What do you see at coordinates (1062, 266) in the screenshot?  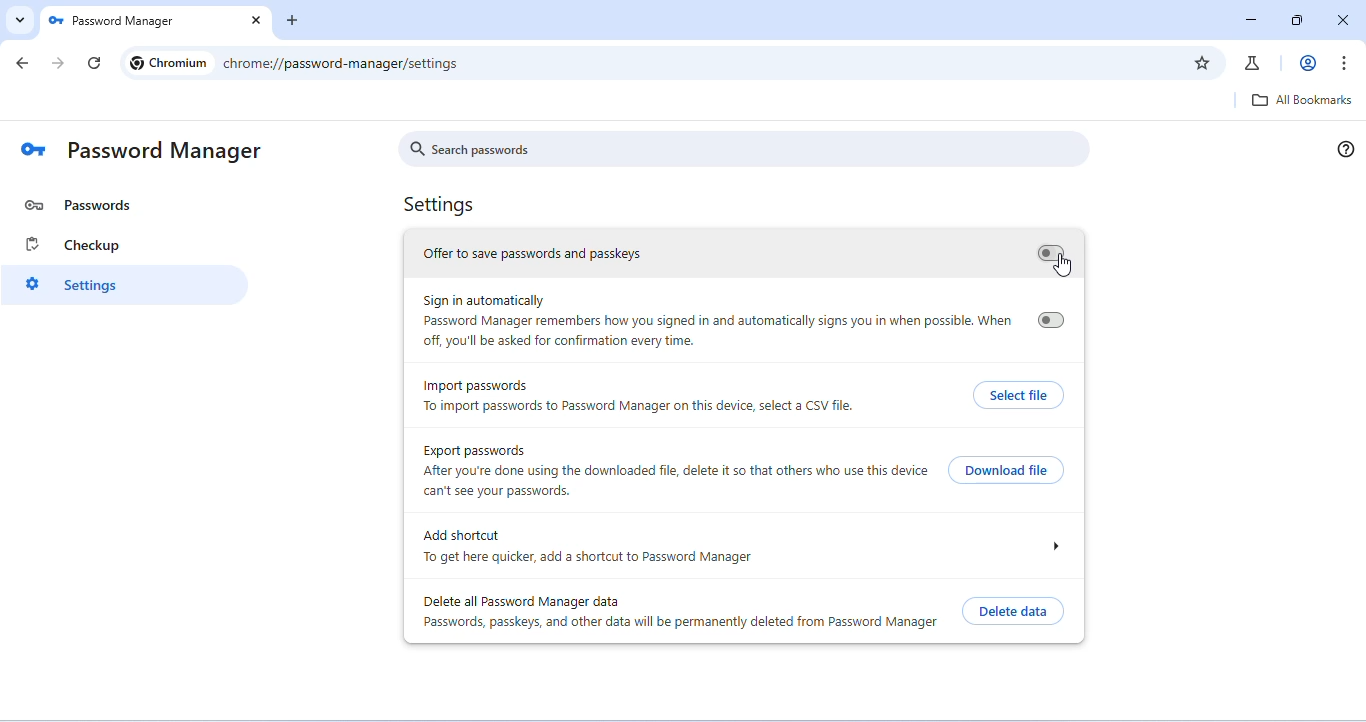 I see `cursor movement` at bounding box center [1062, 266].